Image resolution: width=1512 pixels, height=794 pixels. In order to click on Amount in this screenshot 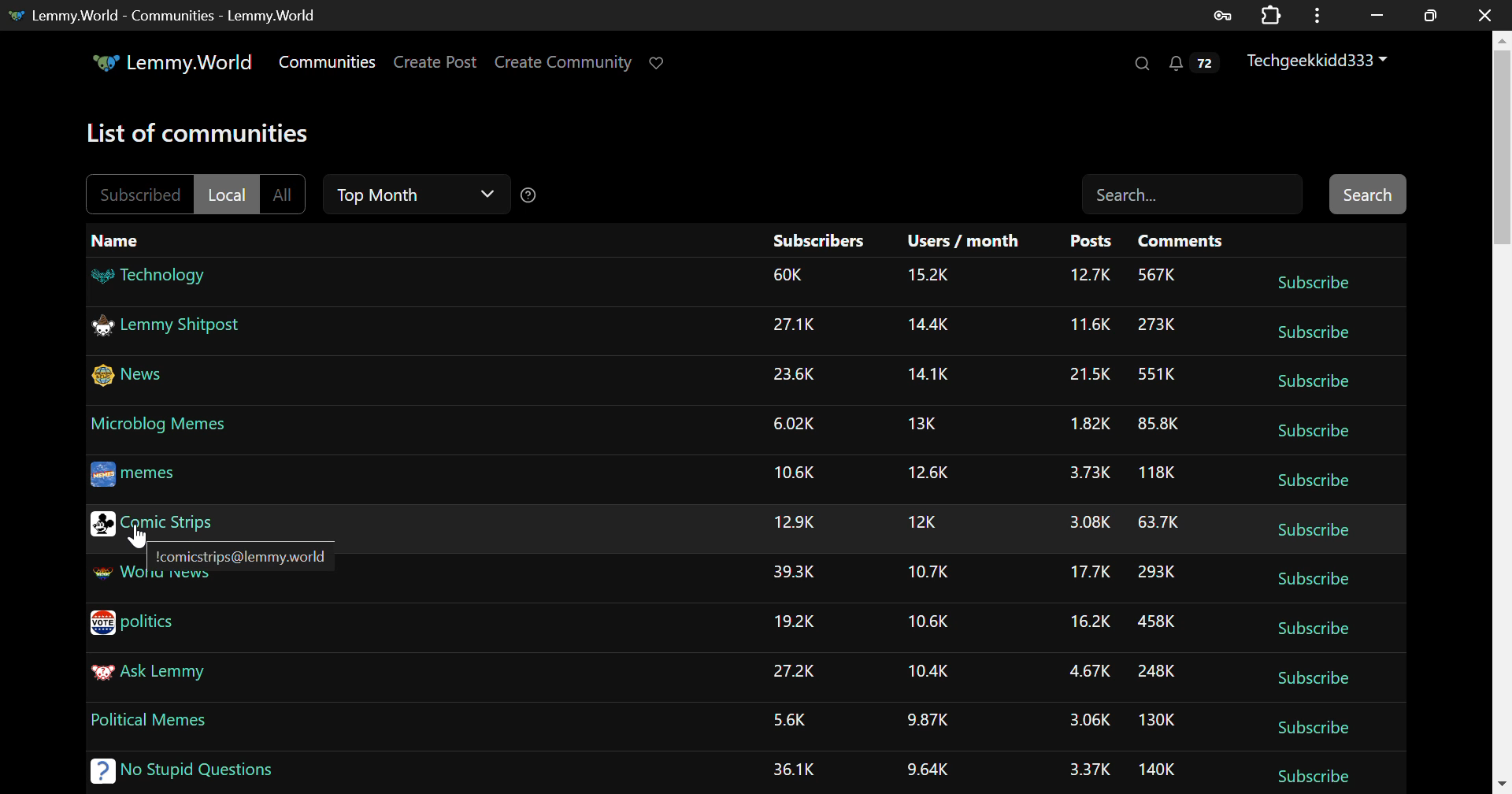, I will do `click(1085, 473)`.